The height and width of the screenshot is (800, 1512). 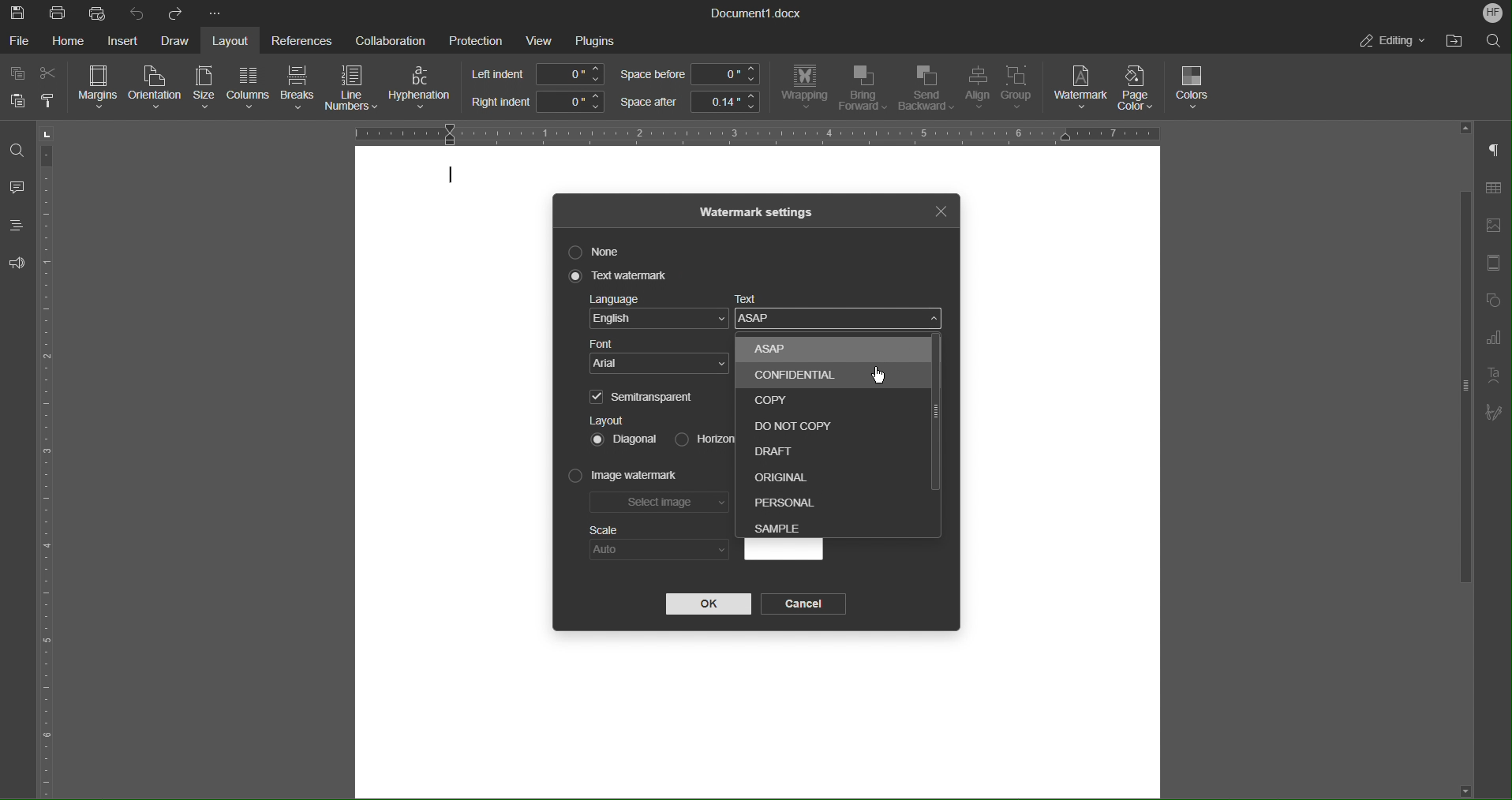 What do you see at coordinates (541, 40) in the screenshot?
I see `View` at bounding box center [541, 40].